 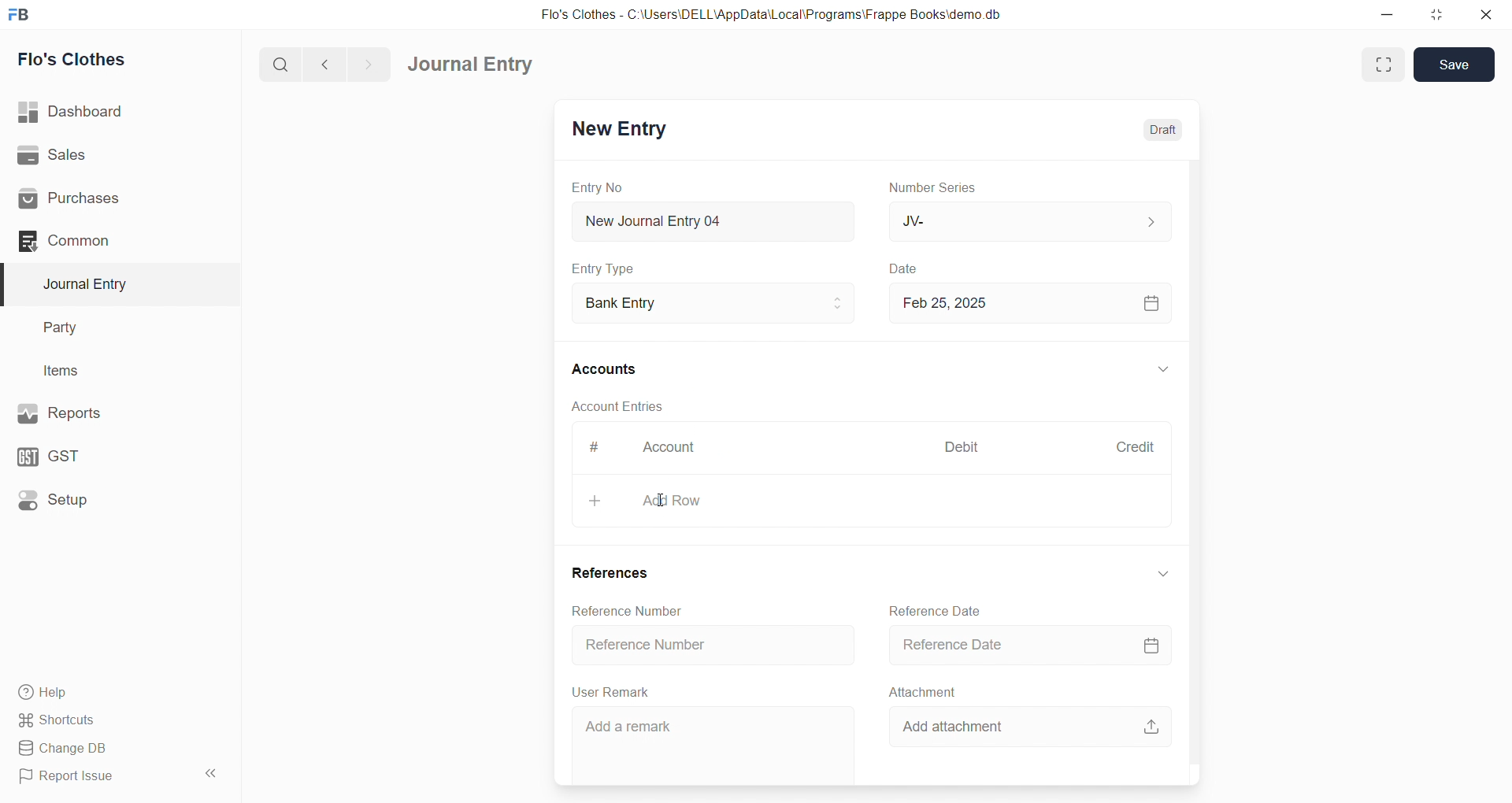 What do you see at coordinates (603, 268) in the screenshot?
I see `Entry Type` at bounding box center [603, 268].